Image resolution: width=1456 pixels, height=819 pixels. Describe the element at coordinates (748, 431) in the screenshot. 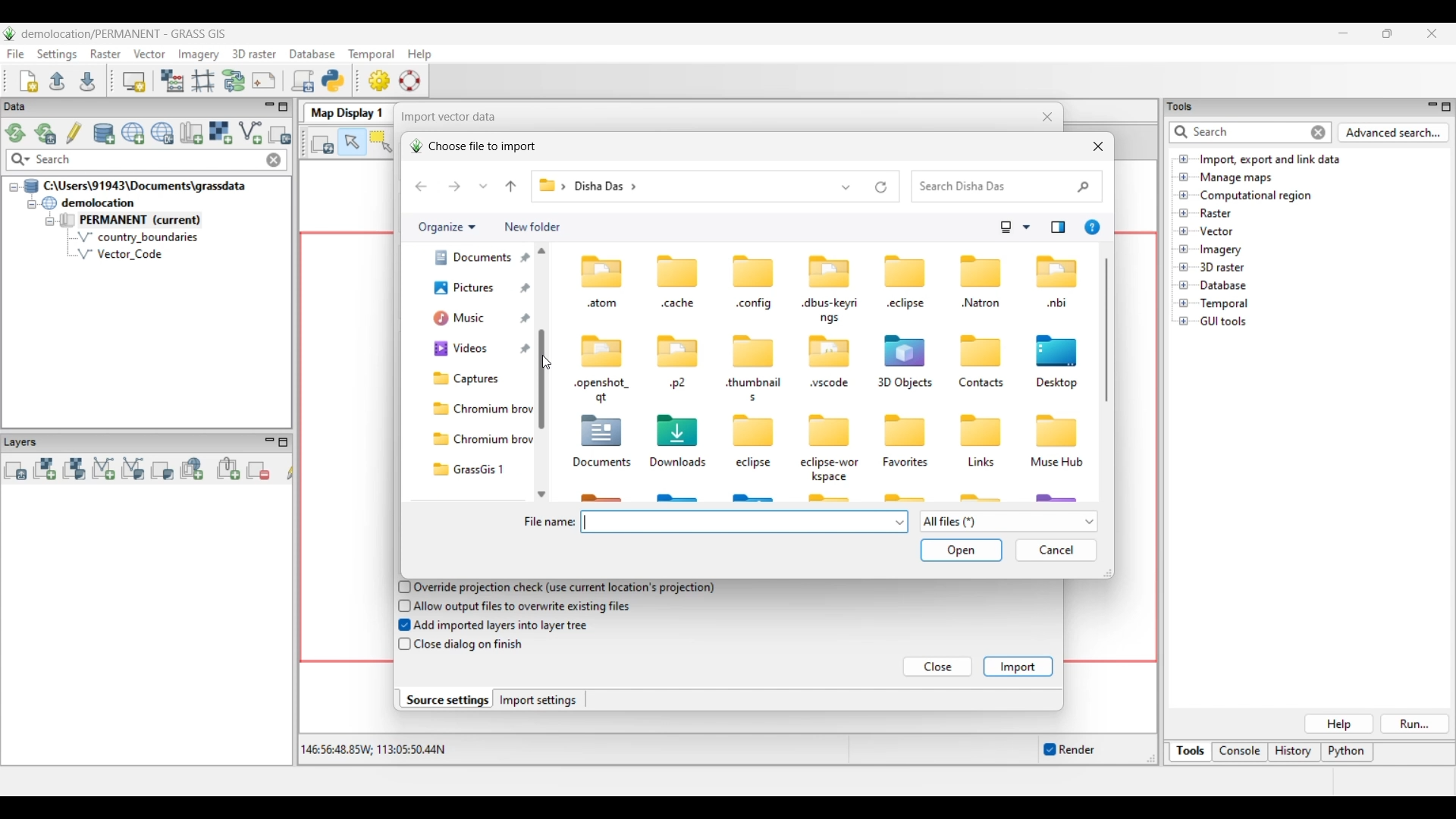

I see `icon` at that location.